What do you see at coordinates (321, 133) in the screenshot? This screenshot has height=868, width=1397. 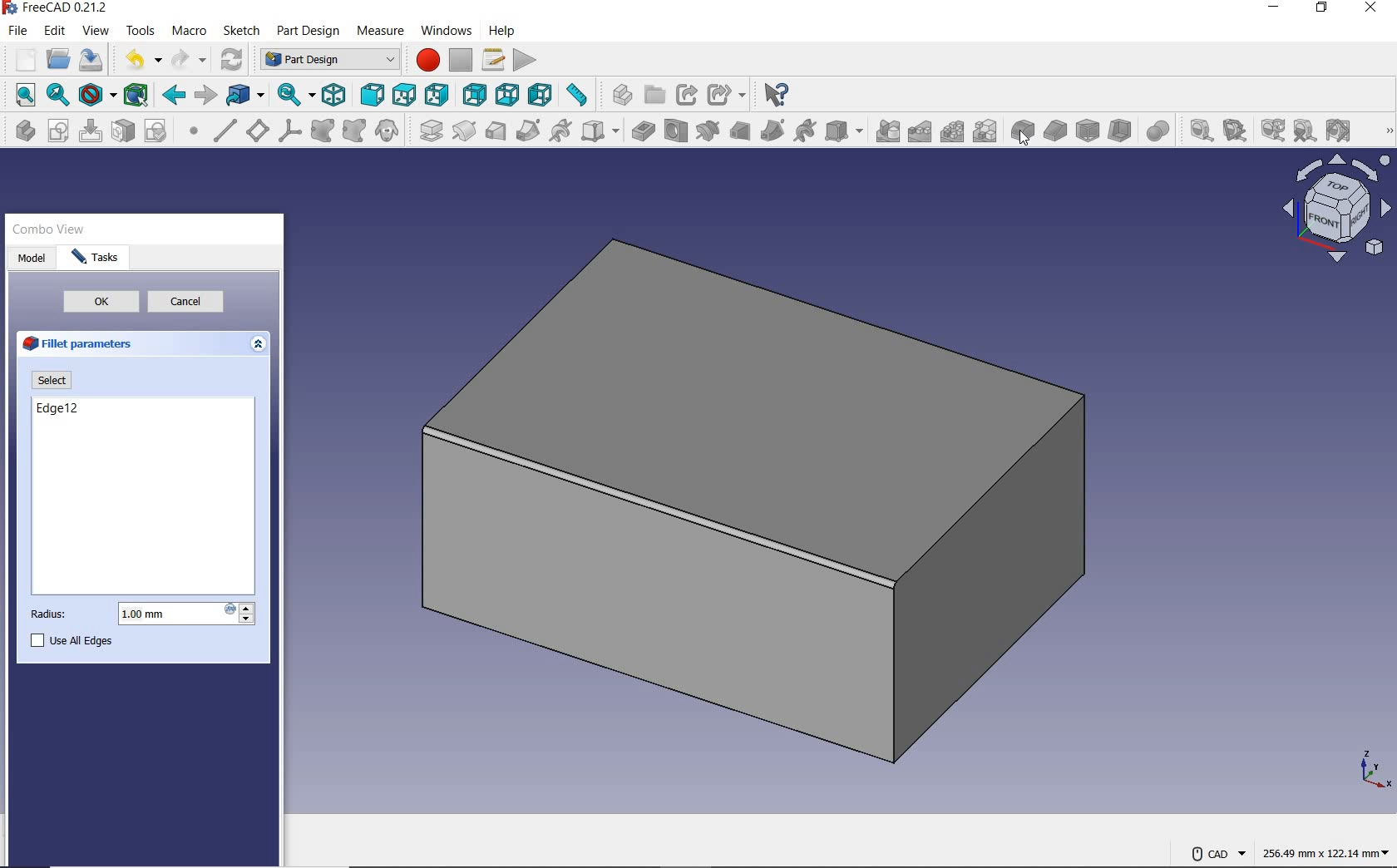 I see `create a shape binder` at bounding box center [321, 133].